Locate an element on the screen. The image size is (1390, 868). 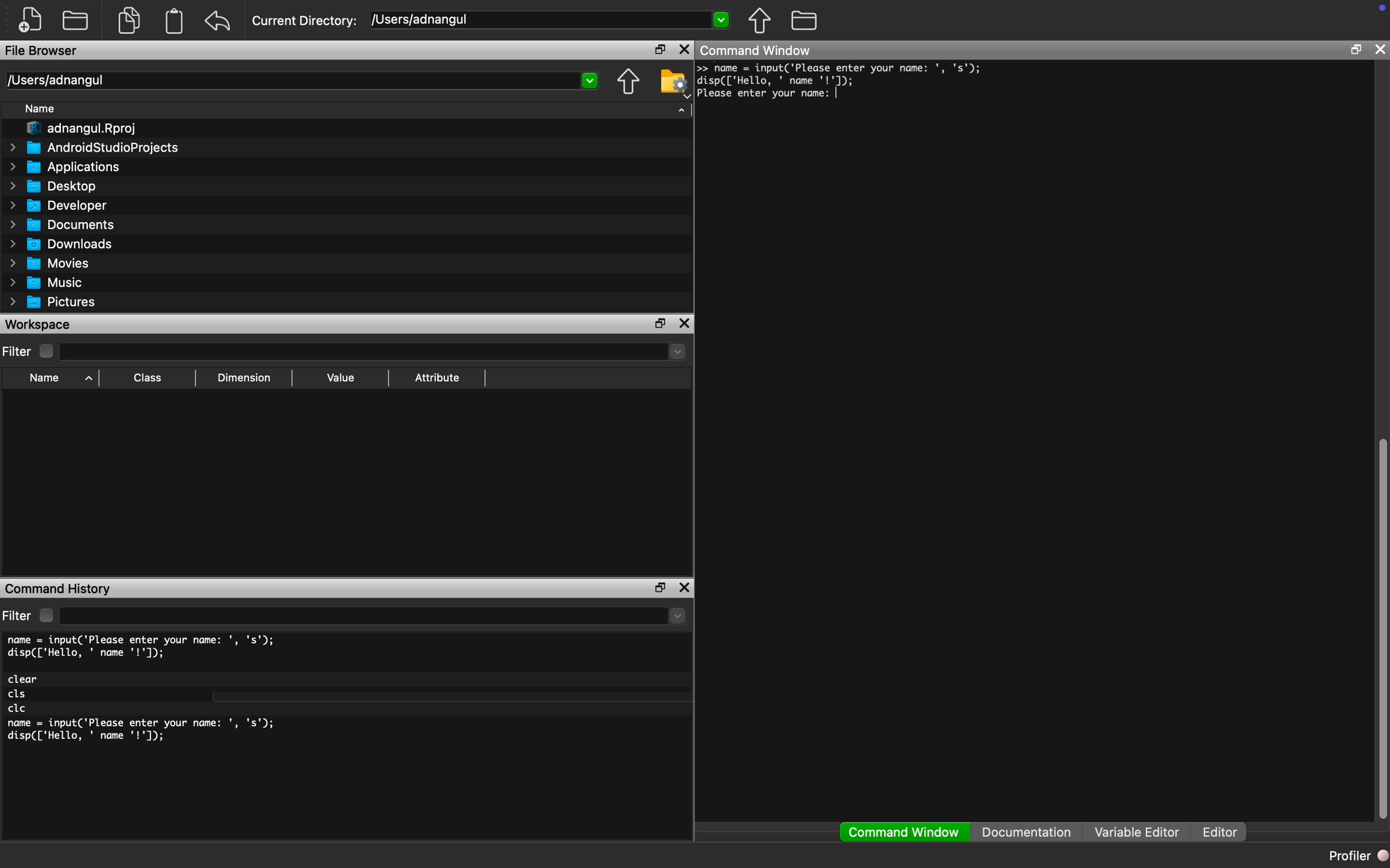
Name is located at coordinates (41, 108).